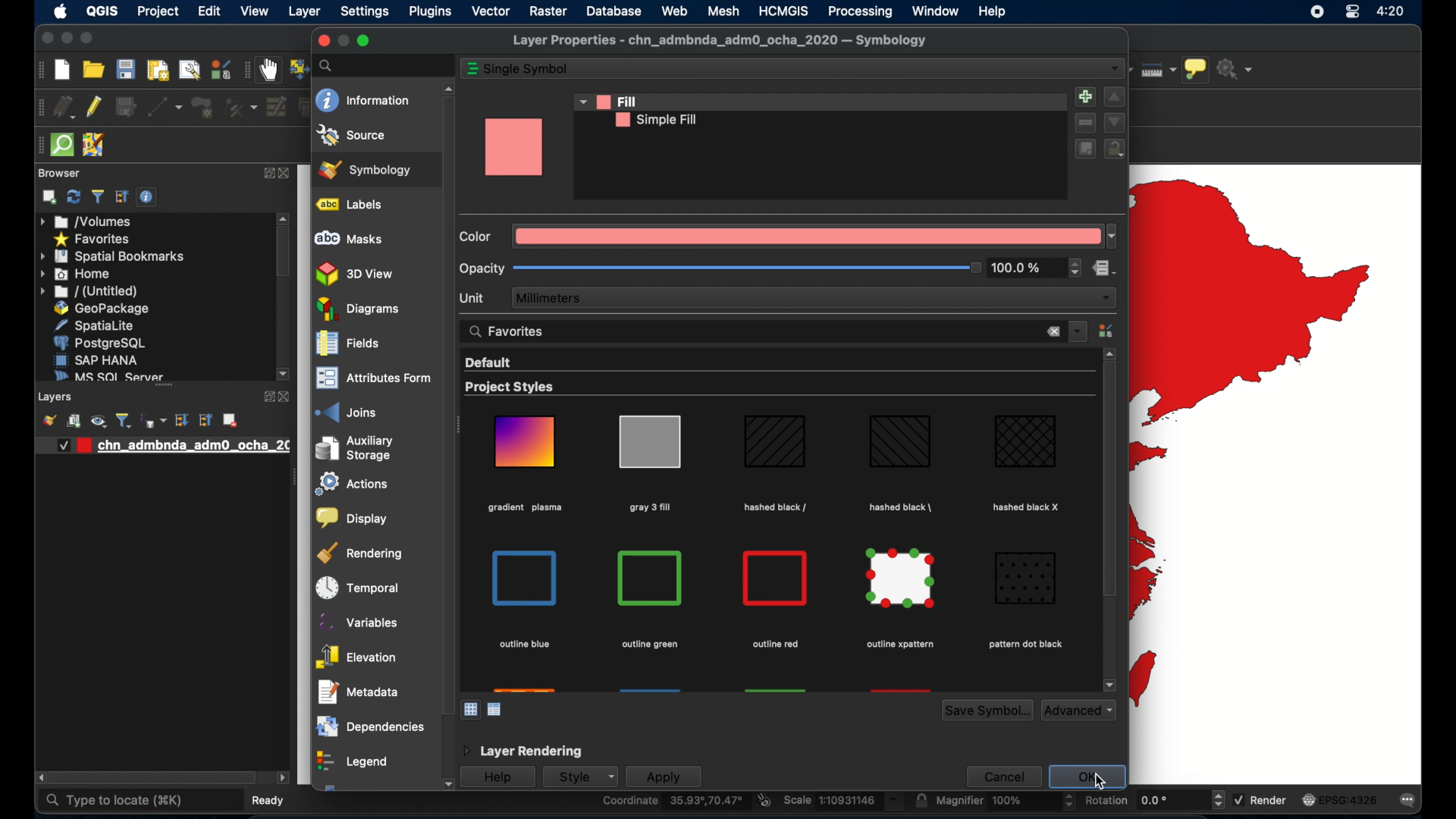 The image size is (1456, 819). Describe the element at coordinates (521, 752) in the screenshot. I see `layer rendering` at that location.